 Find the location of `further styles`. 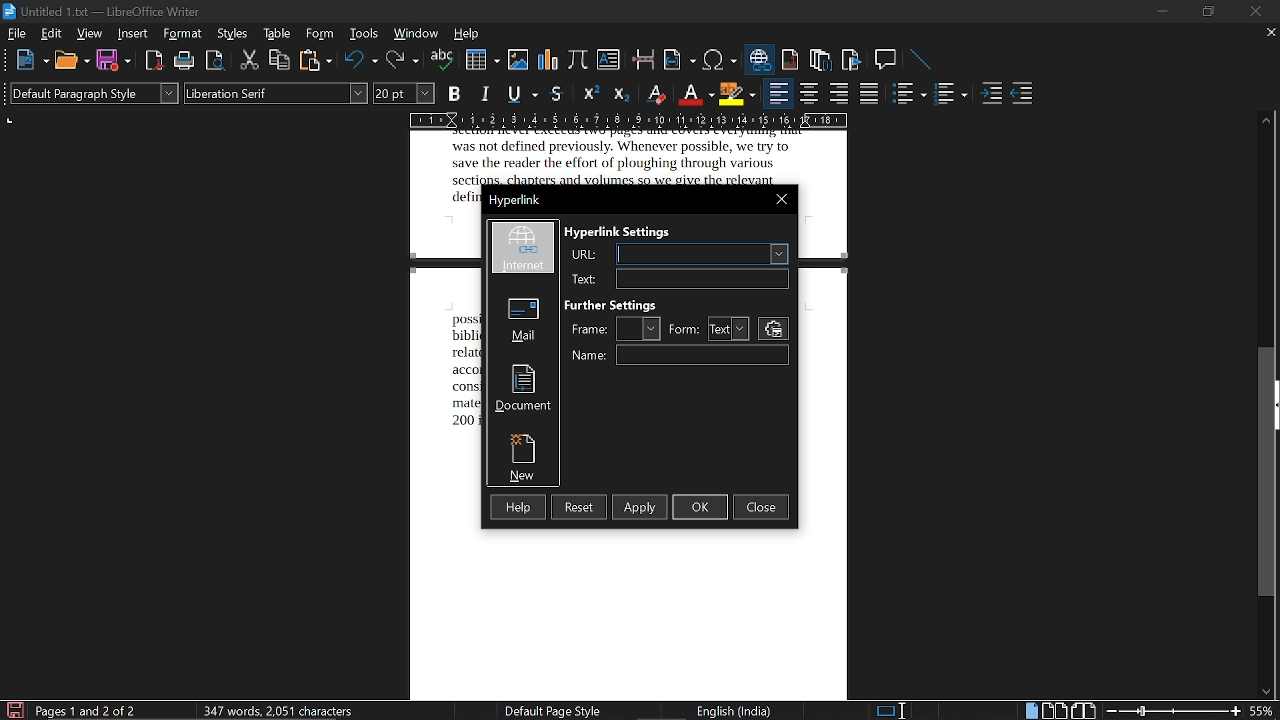

further styles is located at coordinates (625, 303).